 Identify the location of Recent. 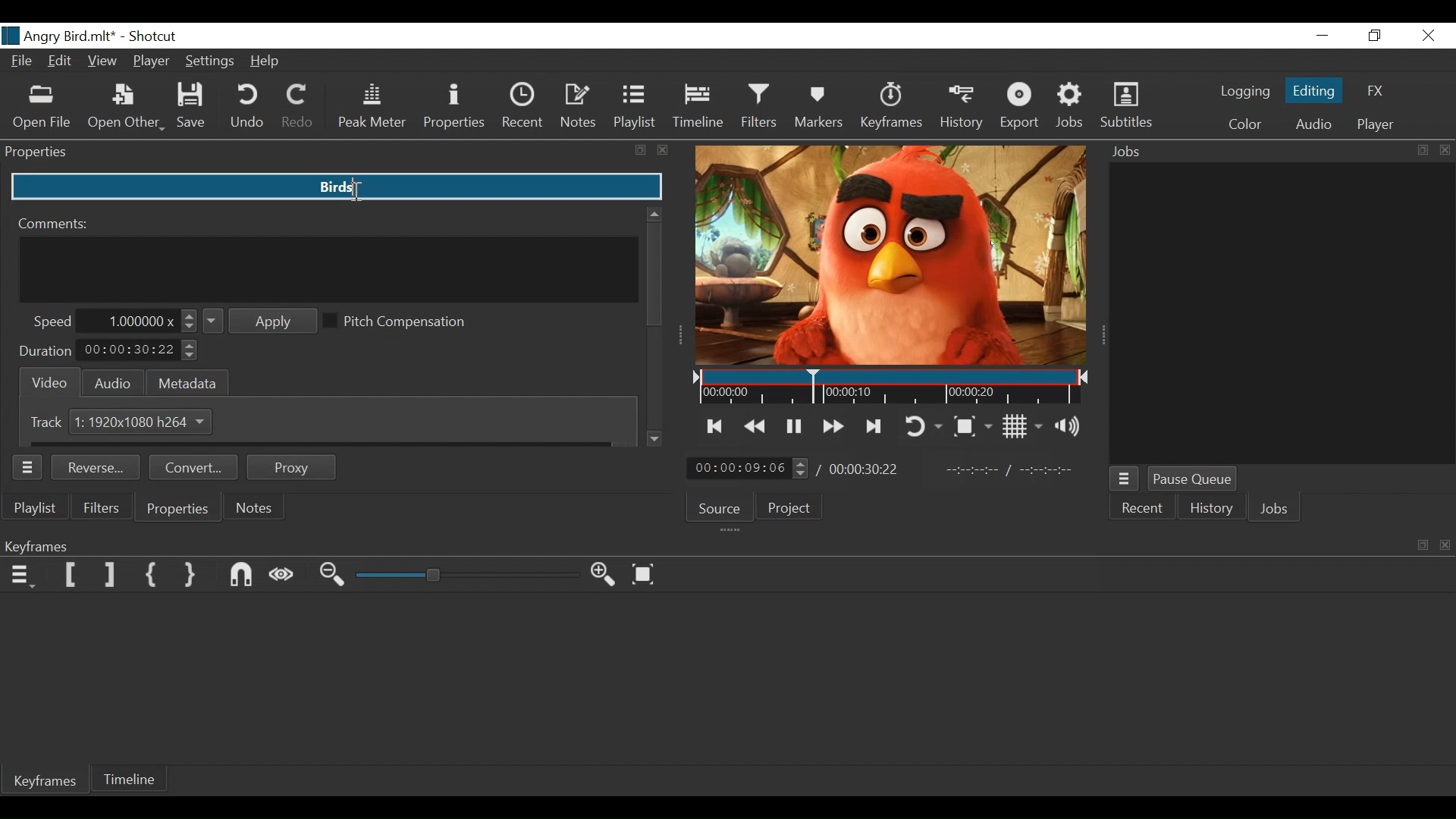
(1145, 509).